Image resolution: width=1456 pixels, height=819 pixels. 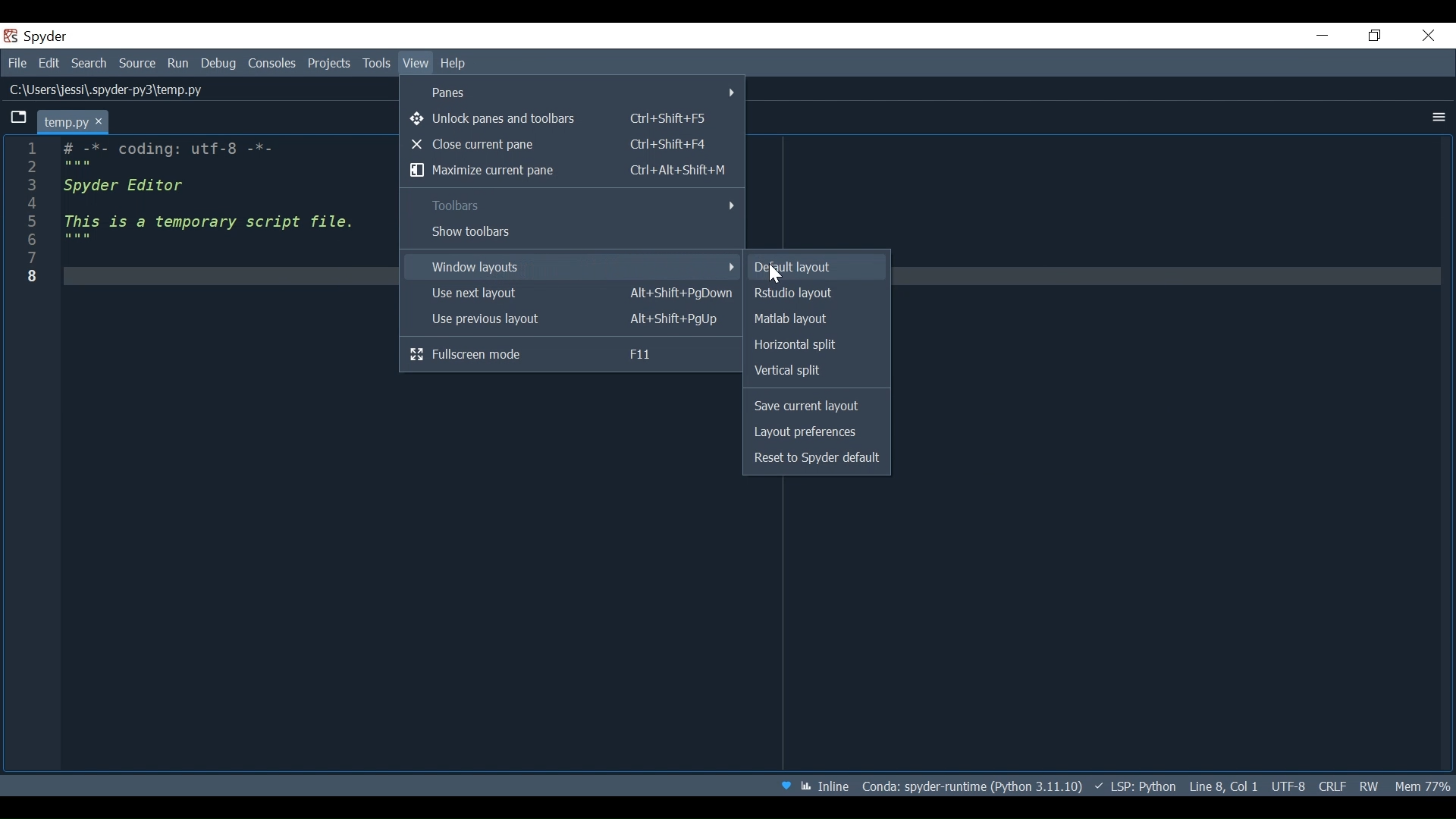 I want to click on Run, so click(x=179, y=63).